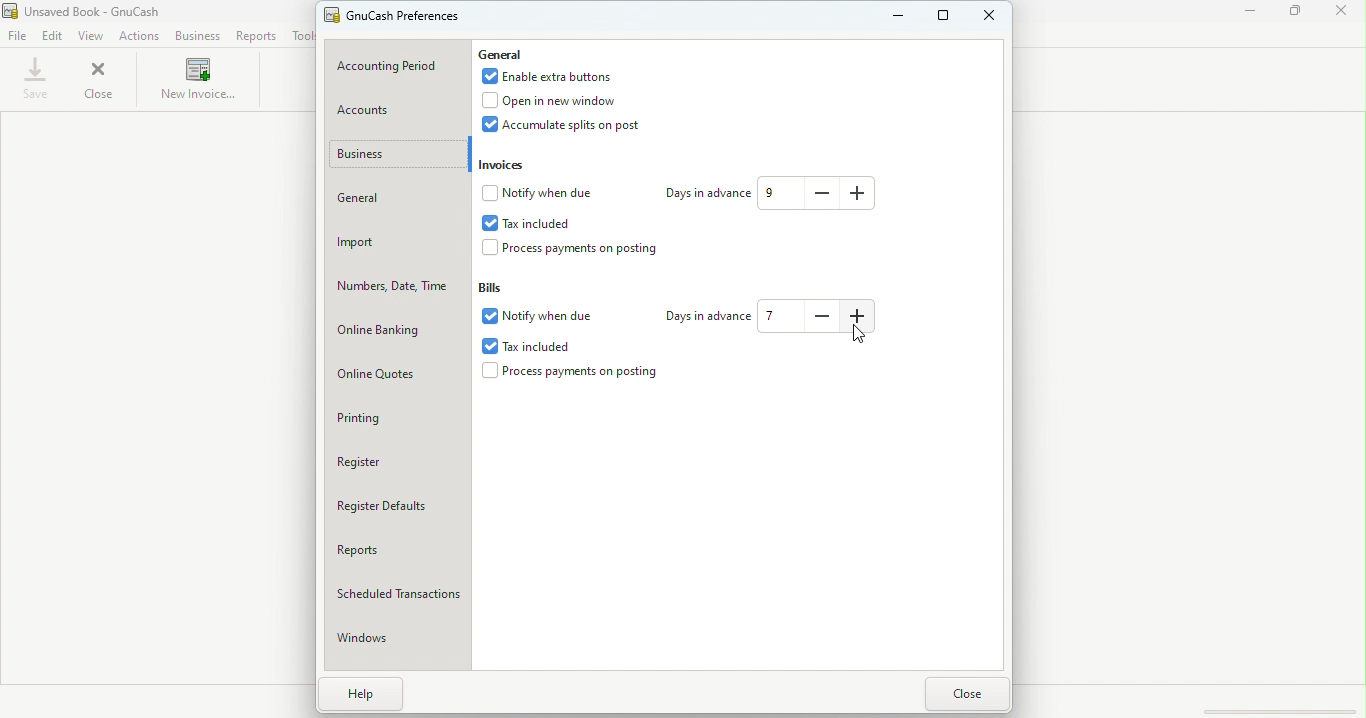 The width and height of the screenshot is (1366, 718). Describe the element at coordinates (706, 195) in the screenshot. I see `Days in advance` at that location.